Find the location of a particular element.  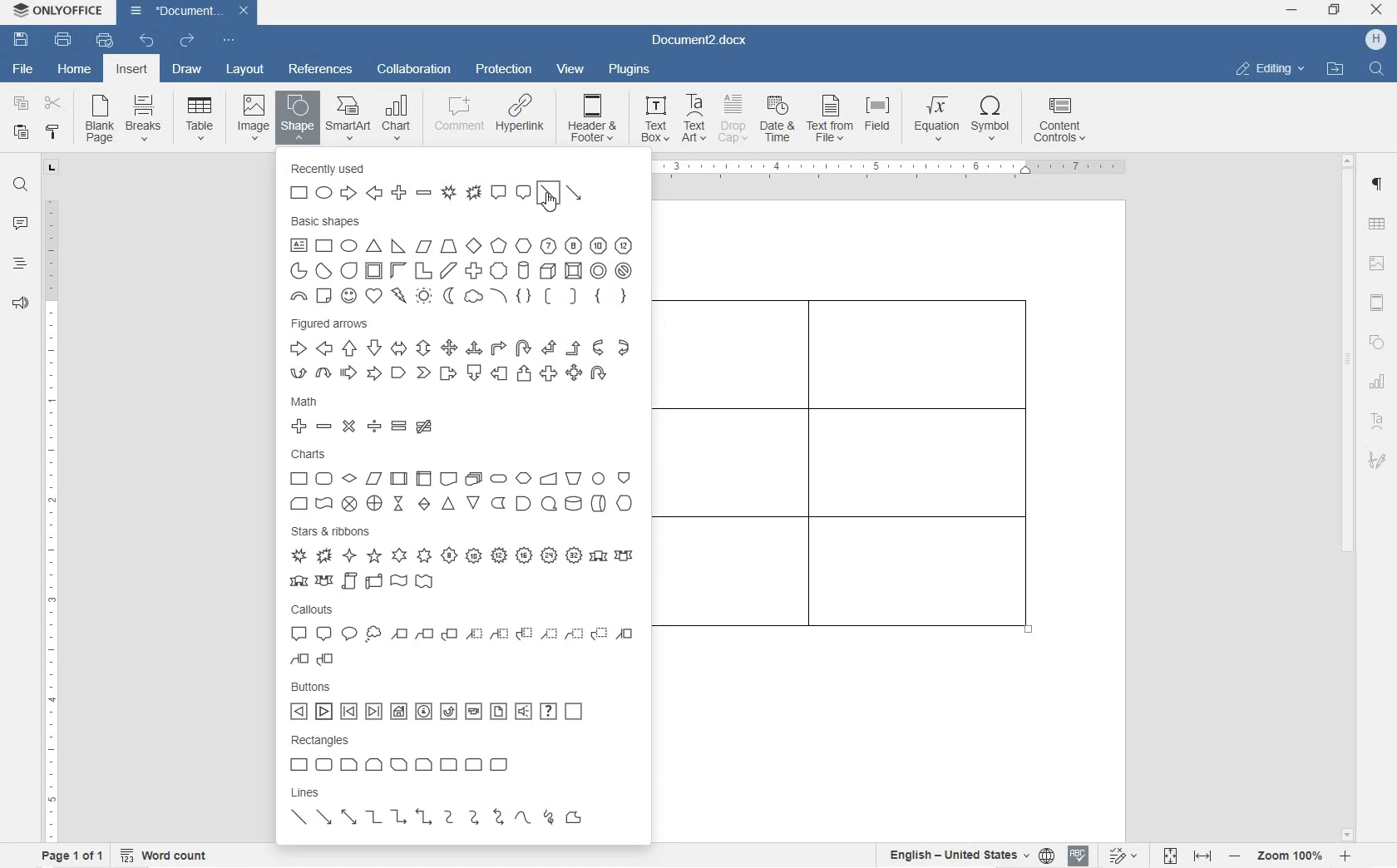

DROP CAP is located at coordinates (734, 121).